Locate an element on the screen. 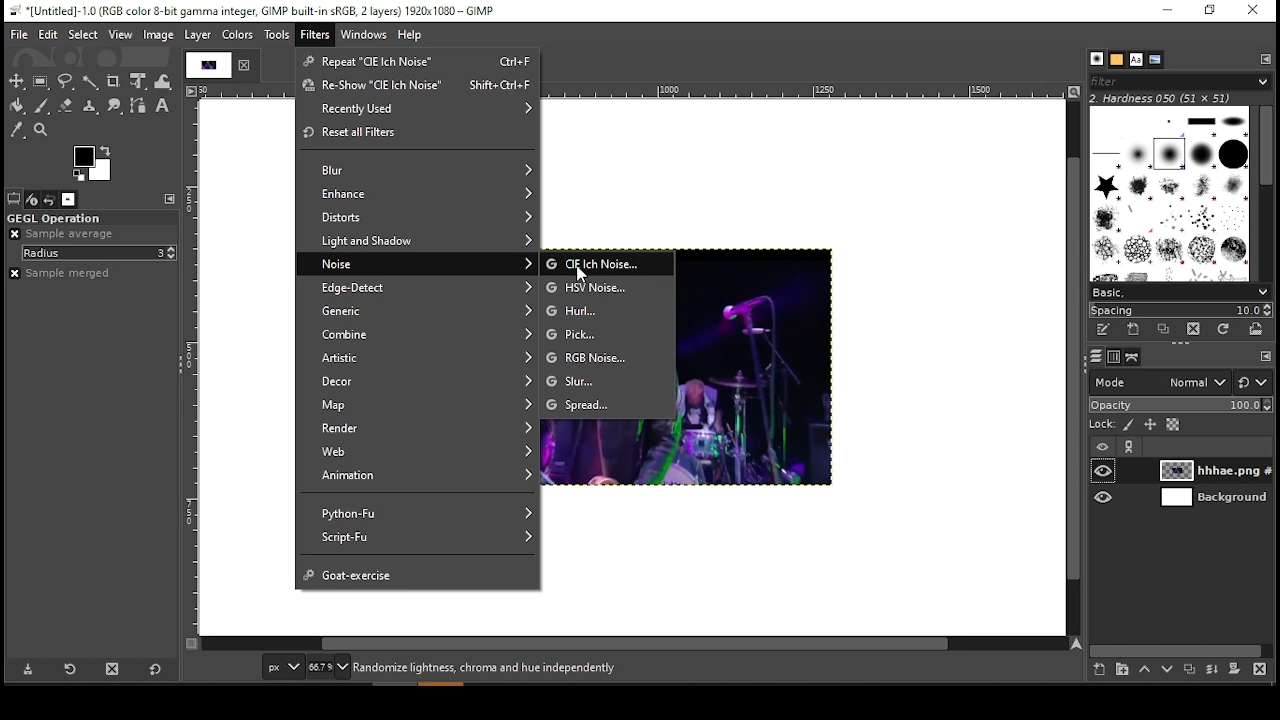  paint brush tool is located at coordinates (40, 104).